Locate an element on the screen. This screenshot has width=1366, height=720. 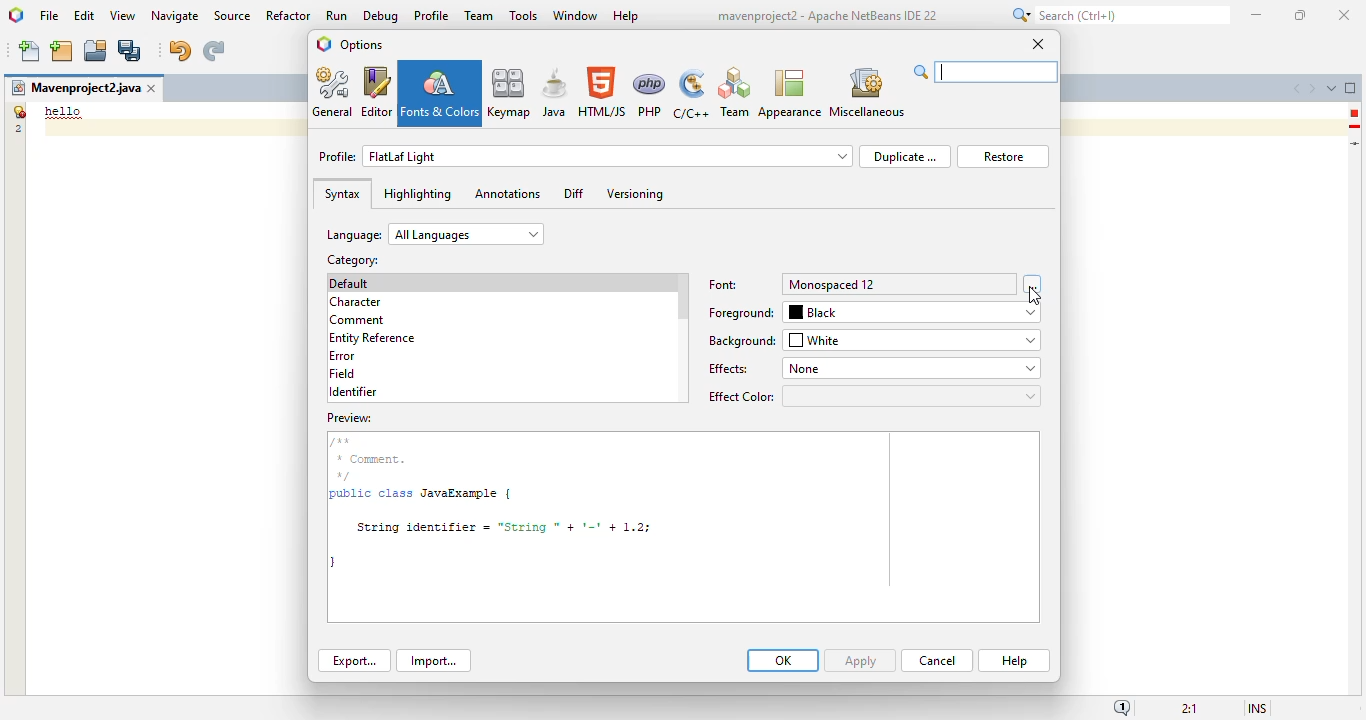
appearance is located at coordinates (790, 94).